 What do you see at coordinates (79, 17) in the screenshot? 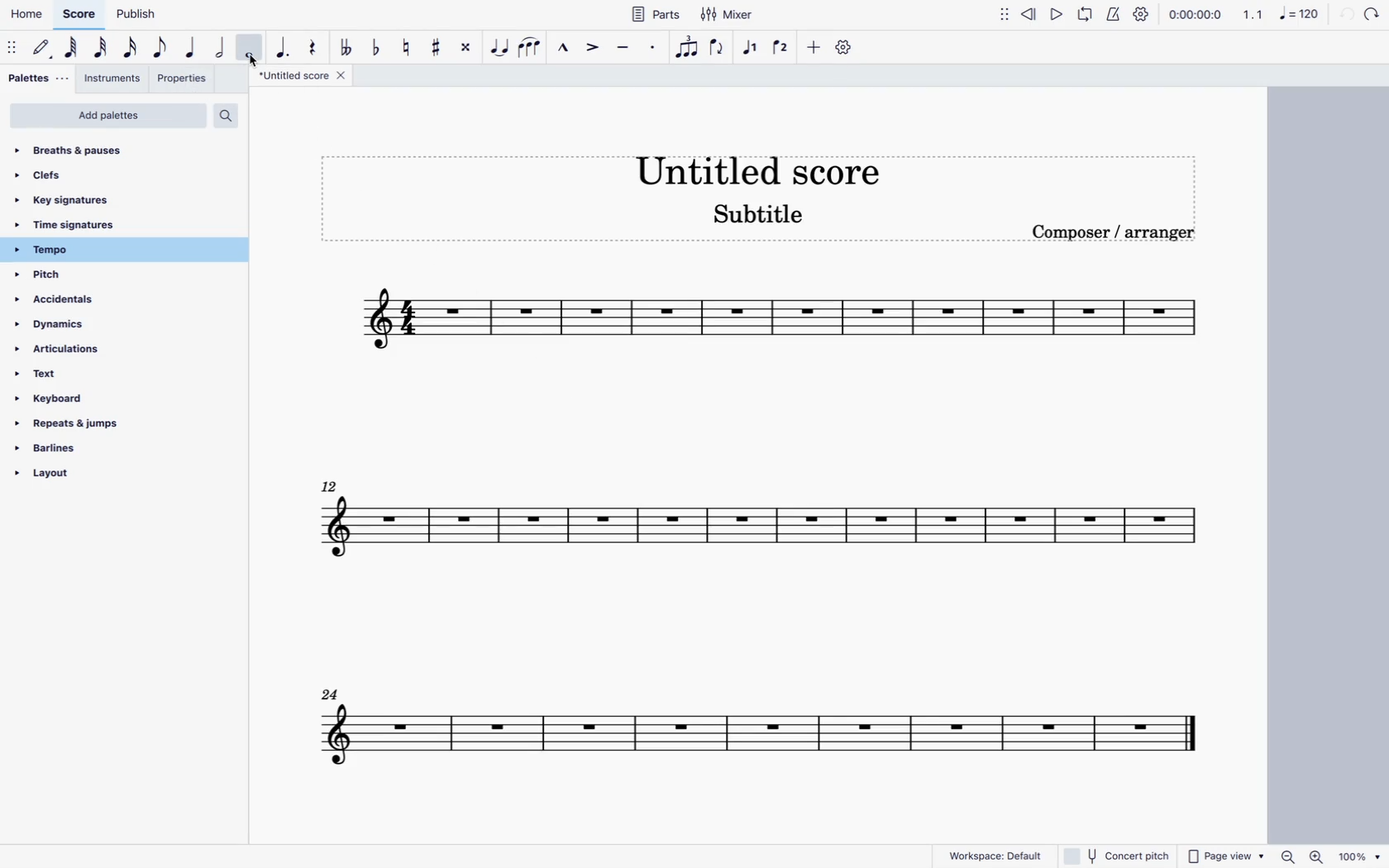
I see `score` at bounding box center [79, 17].